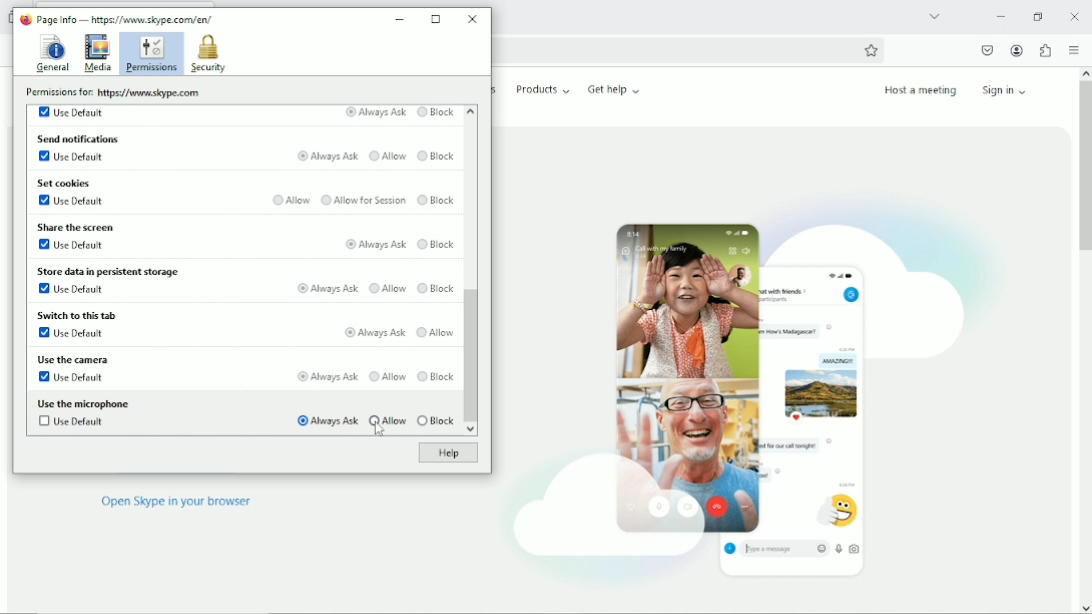 Image resolution: width=1092 pixels, height=614 pixels. Describe the element at coordinates (76, 316) in the screenshot. I see `Switch to this tab` at that location.